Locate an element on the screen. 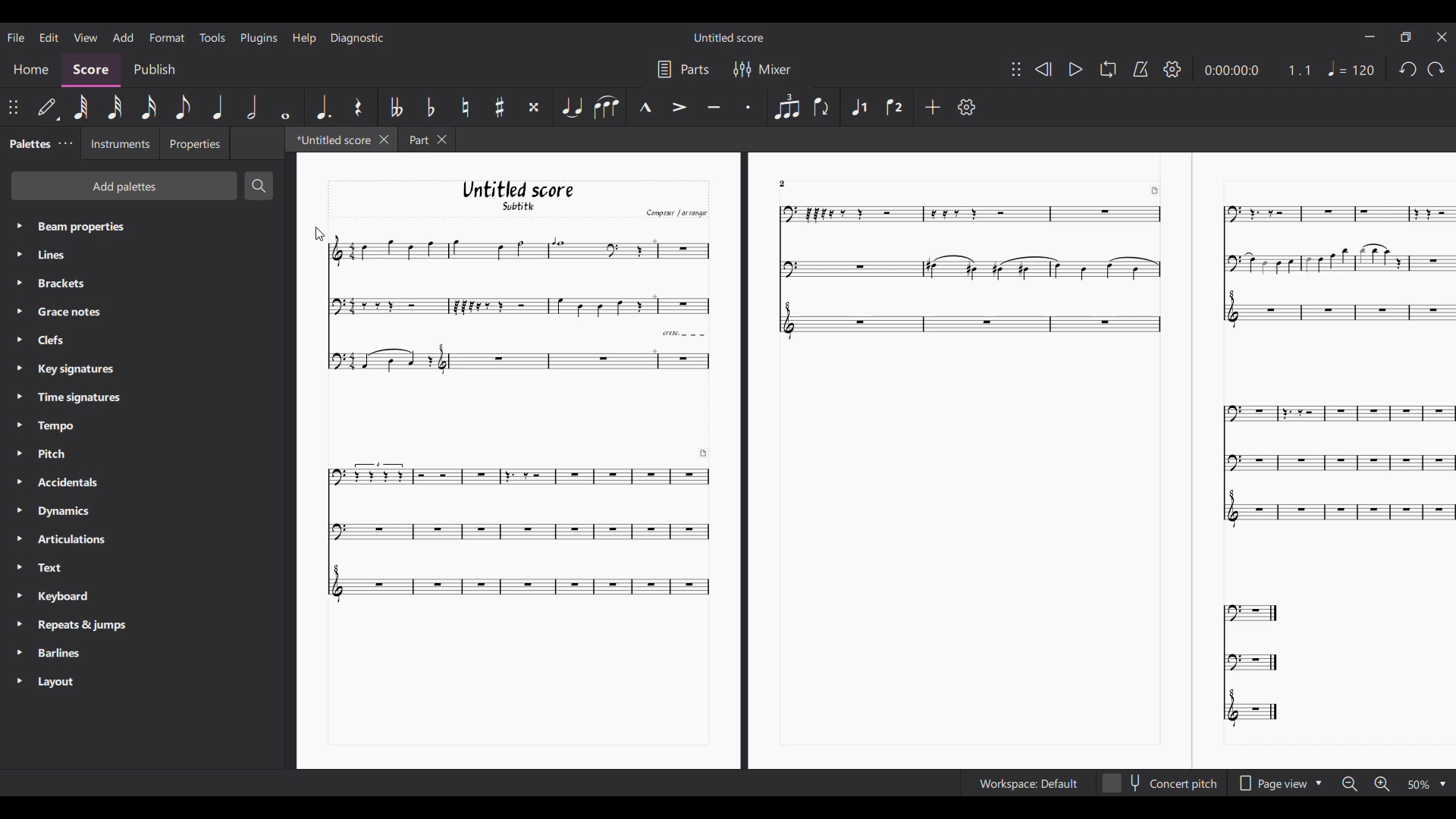 The width and height of the screenshot is (1456, 819).  is located at coordinates (17, 370).